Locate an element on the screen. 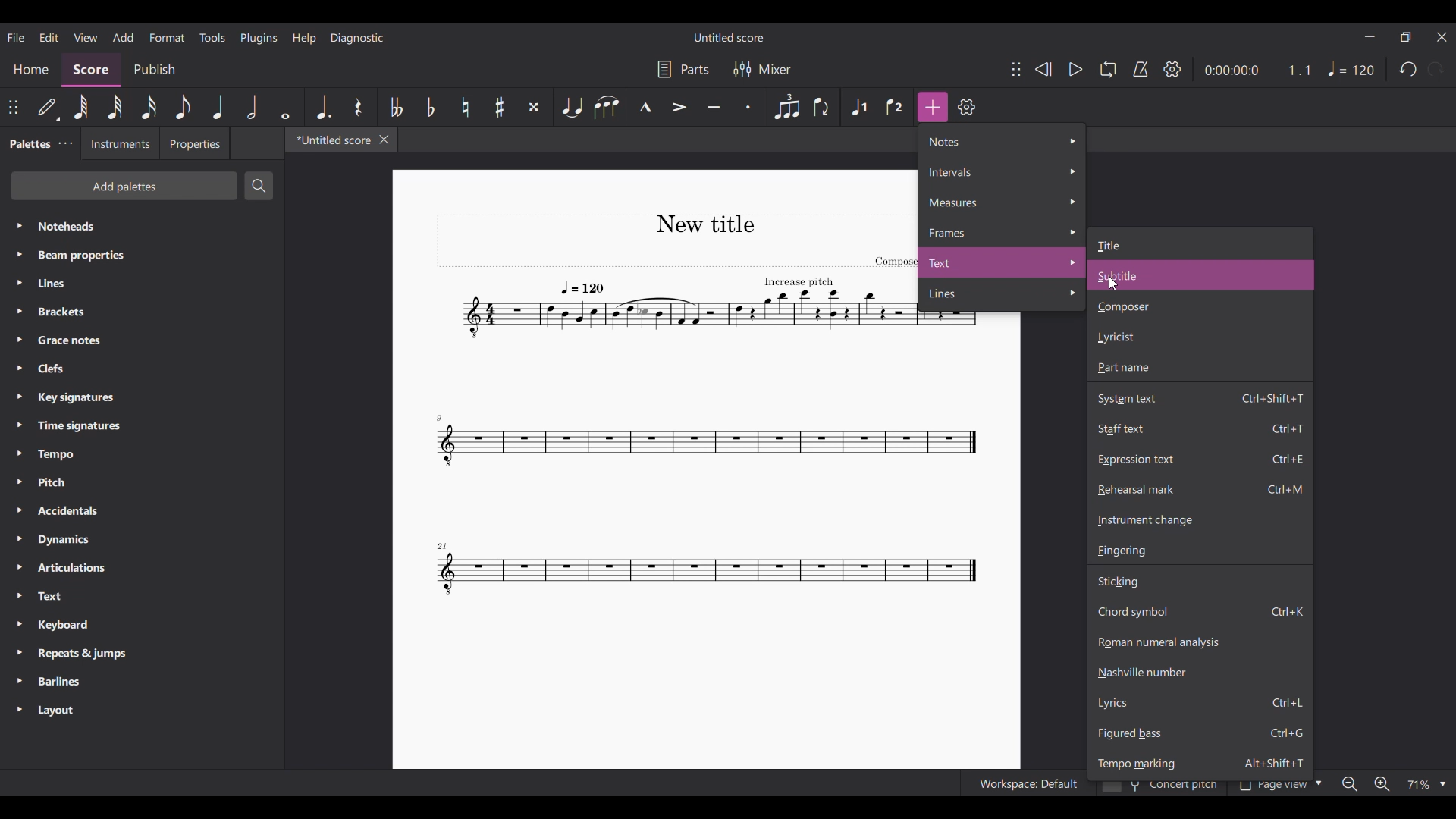 This screenshot has width=1456, height=819. Page view options is located at coordinates (1277, 787).